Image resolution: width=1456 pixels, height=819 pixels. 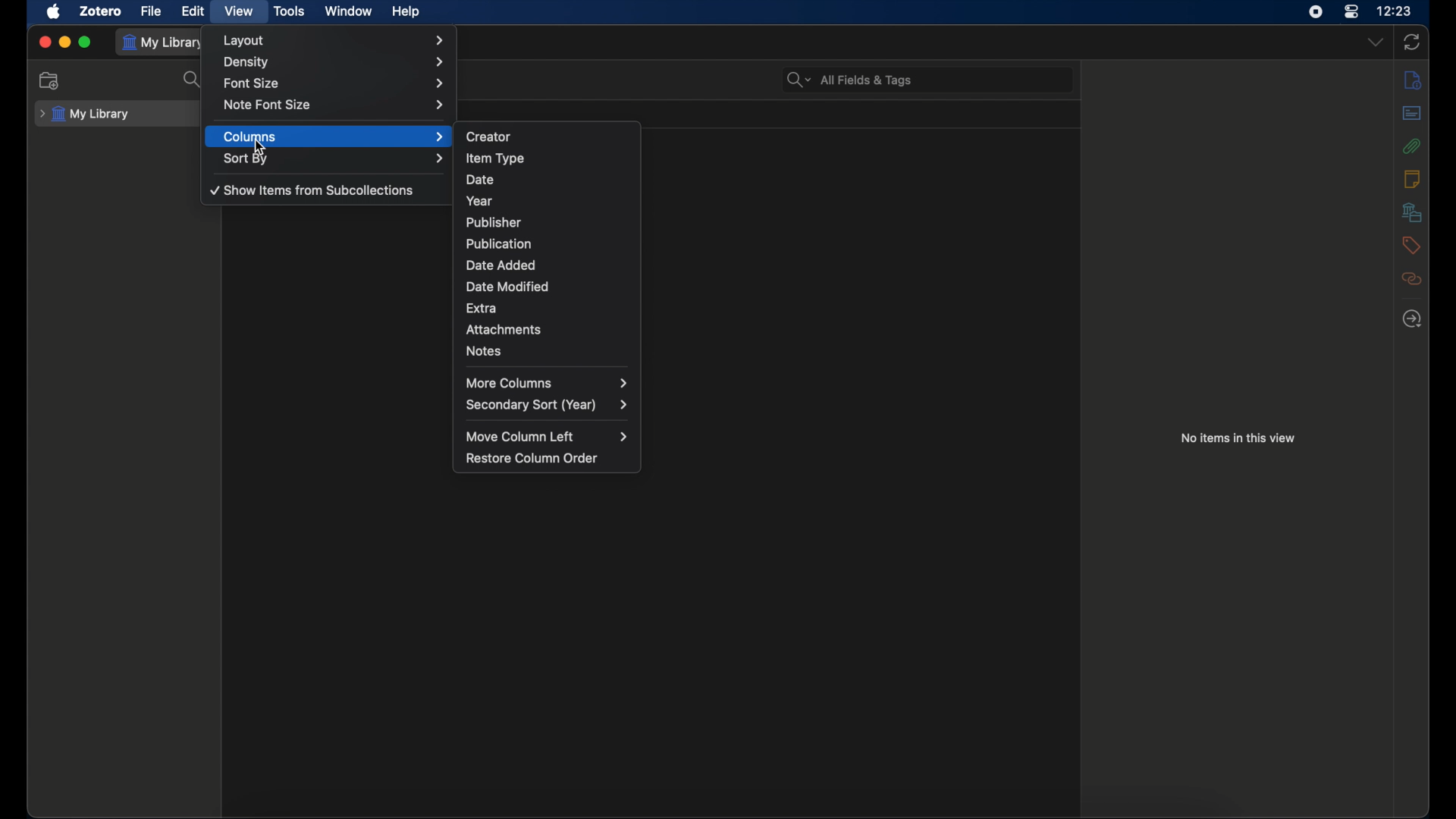 I want to click on libraries, so click(x=1411, y=212).